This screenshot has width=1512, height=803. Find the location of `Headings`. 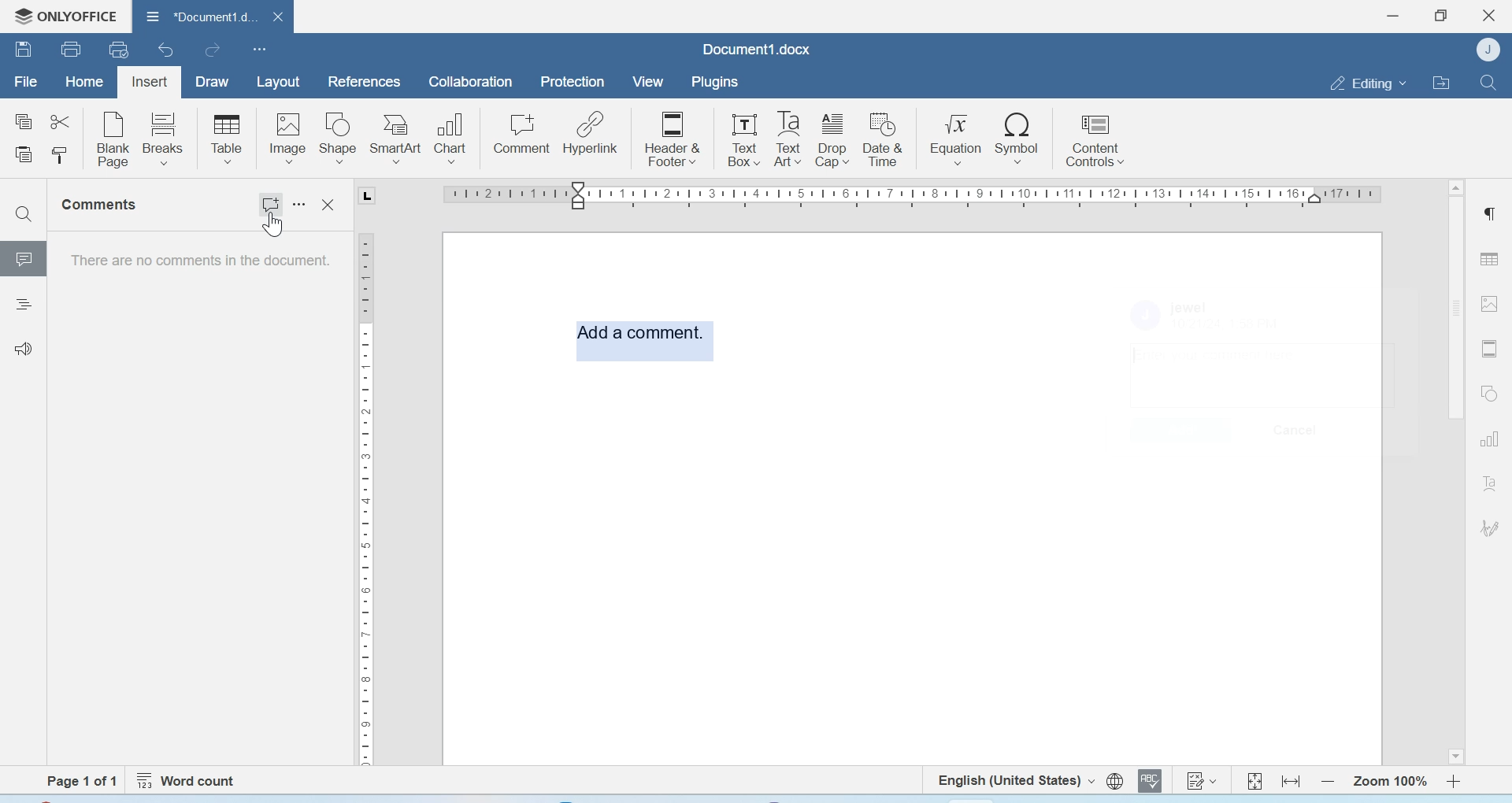

Headings is located at coordinates (23, 306).